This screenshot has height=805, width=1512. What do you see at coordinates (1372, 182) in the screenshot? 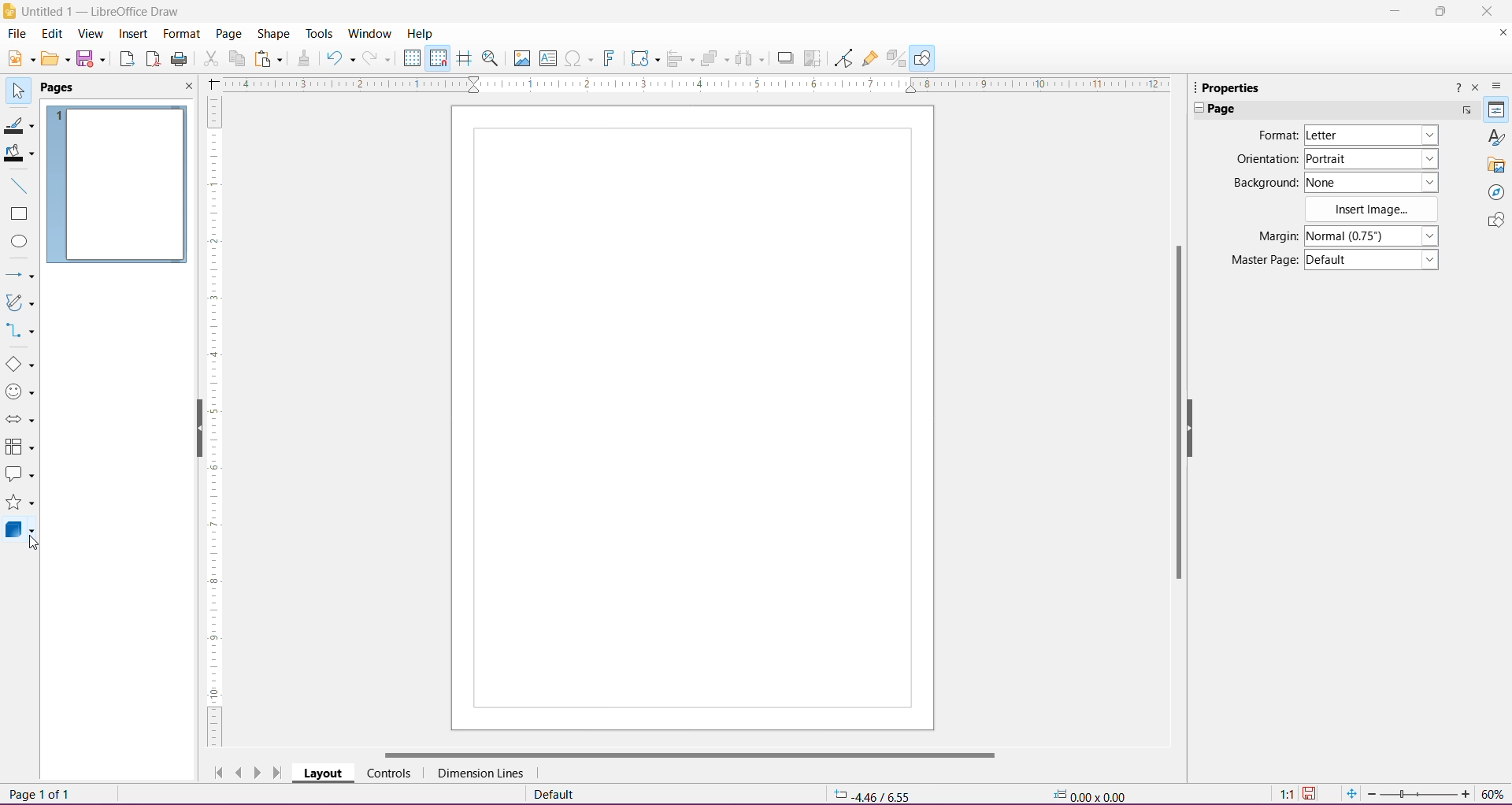
I see `Set page background` at bounding box center [1372, 182].